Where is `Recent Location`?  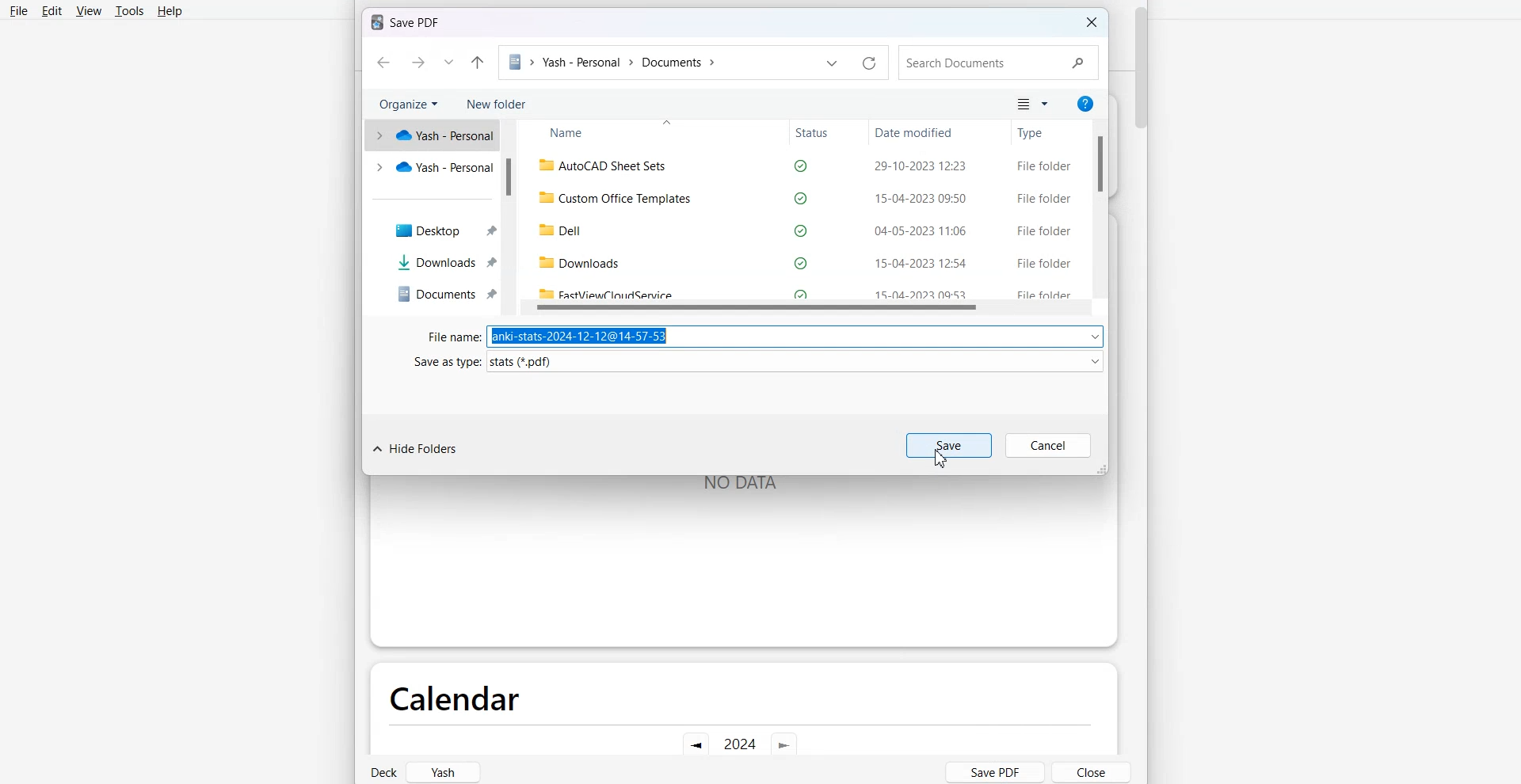
Recent Location is located at coordinates (450, 63).